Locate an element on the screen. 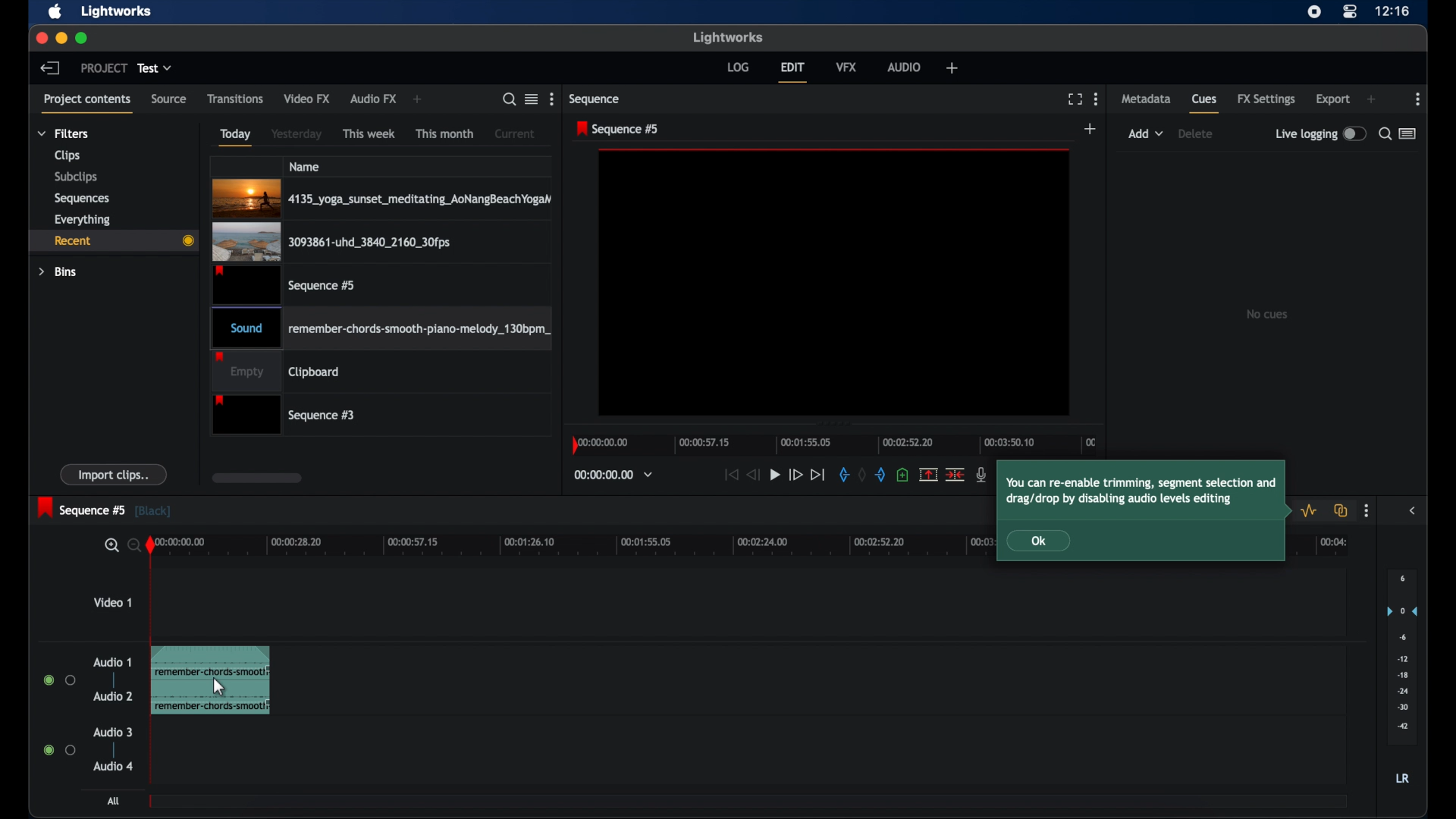 The height and width of the screenshot is (819, 1456). export is located at coordinates (1333, 99).